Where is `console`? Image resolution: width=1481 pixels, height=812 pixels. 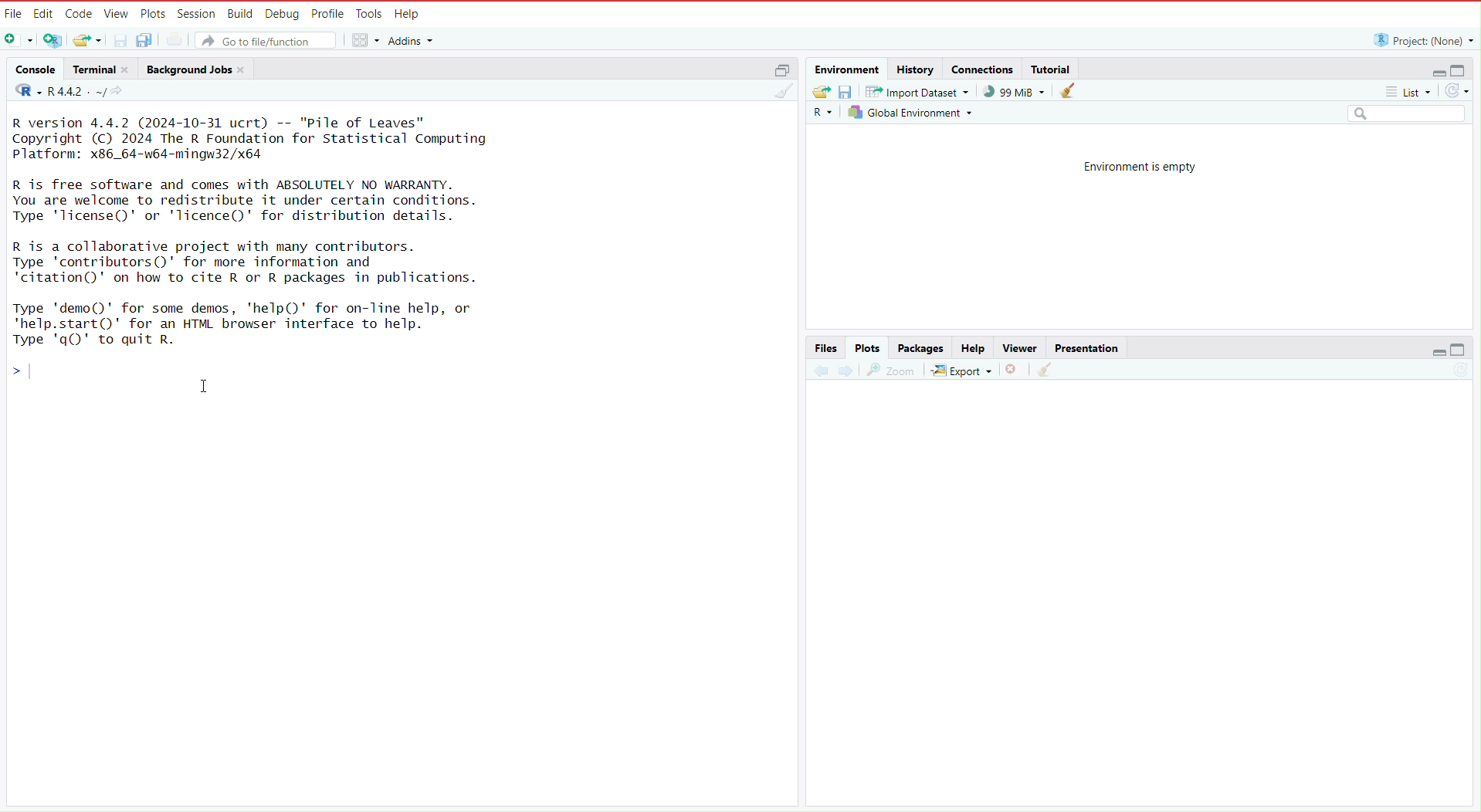
console is located at coordinates (31, 67).